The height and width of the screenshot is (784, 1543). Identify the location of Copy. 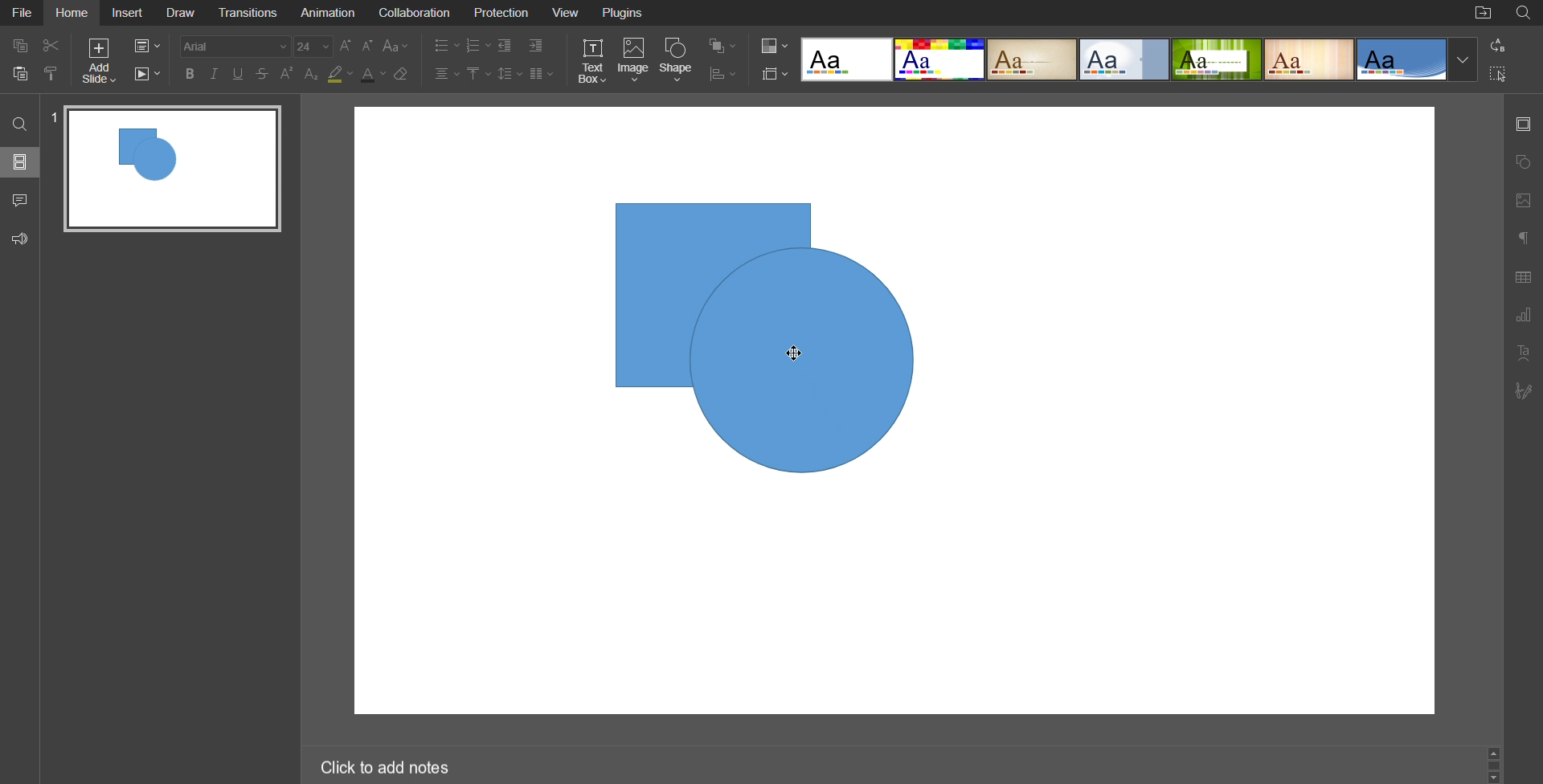
(18, 47).